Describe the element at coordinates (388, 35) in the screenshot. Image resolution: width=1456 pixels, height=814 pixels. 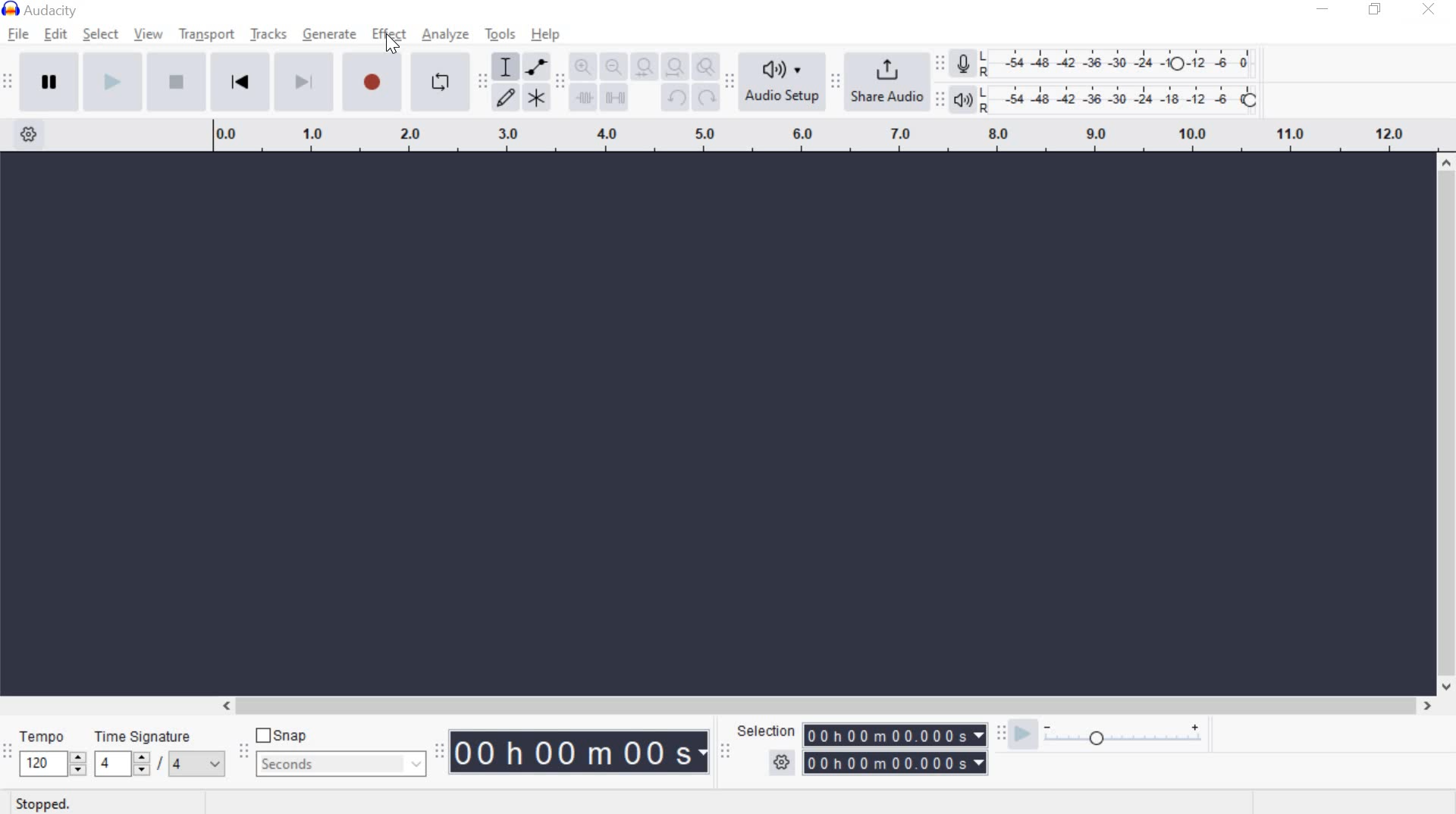
I see `effect` at that location.